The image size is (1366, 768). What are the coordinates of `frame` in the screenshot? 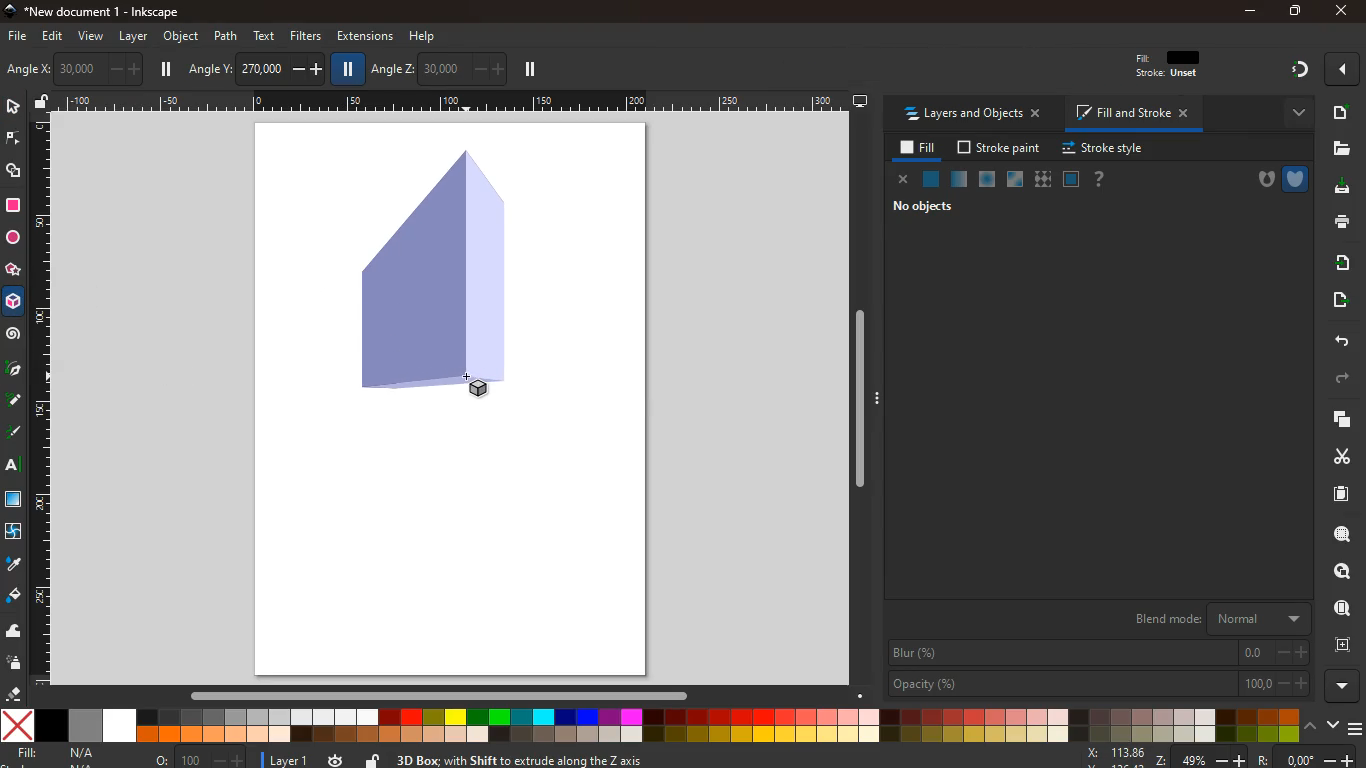 It's located at (1071, 179).